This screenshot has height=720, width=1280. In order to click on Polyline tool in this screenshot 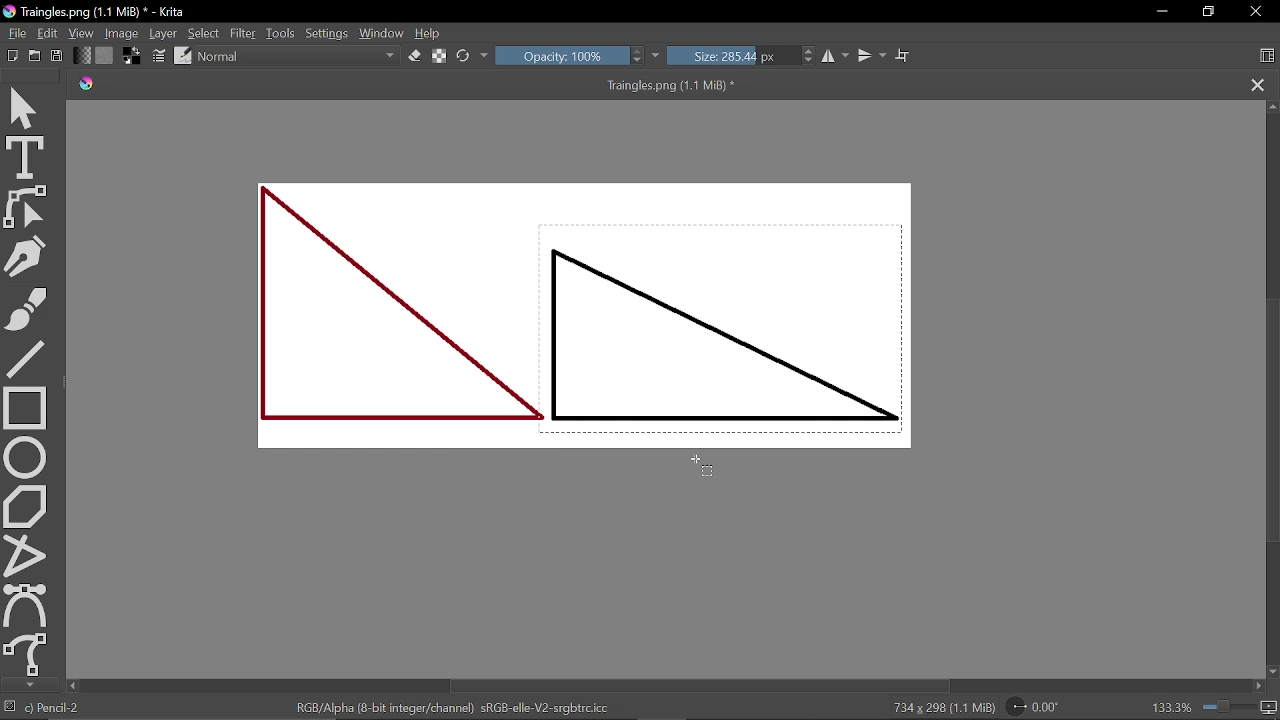, I will do `click(25, 555)`.